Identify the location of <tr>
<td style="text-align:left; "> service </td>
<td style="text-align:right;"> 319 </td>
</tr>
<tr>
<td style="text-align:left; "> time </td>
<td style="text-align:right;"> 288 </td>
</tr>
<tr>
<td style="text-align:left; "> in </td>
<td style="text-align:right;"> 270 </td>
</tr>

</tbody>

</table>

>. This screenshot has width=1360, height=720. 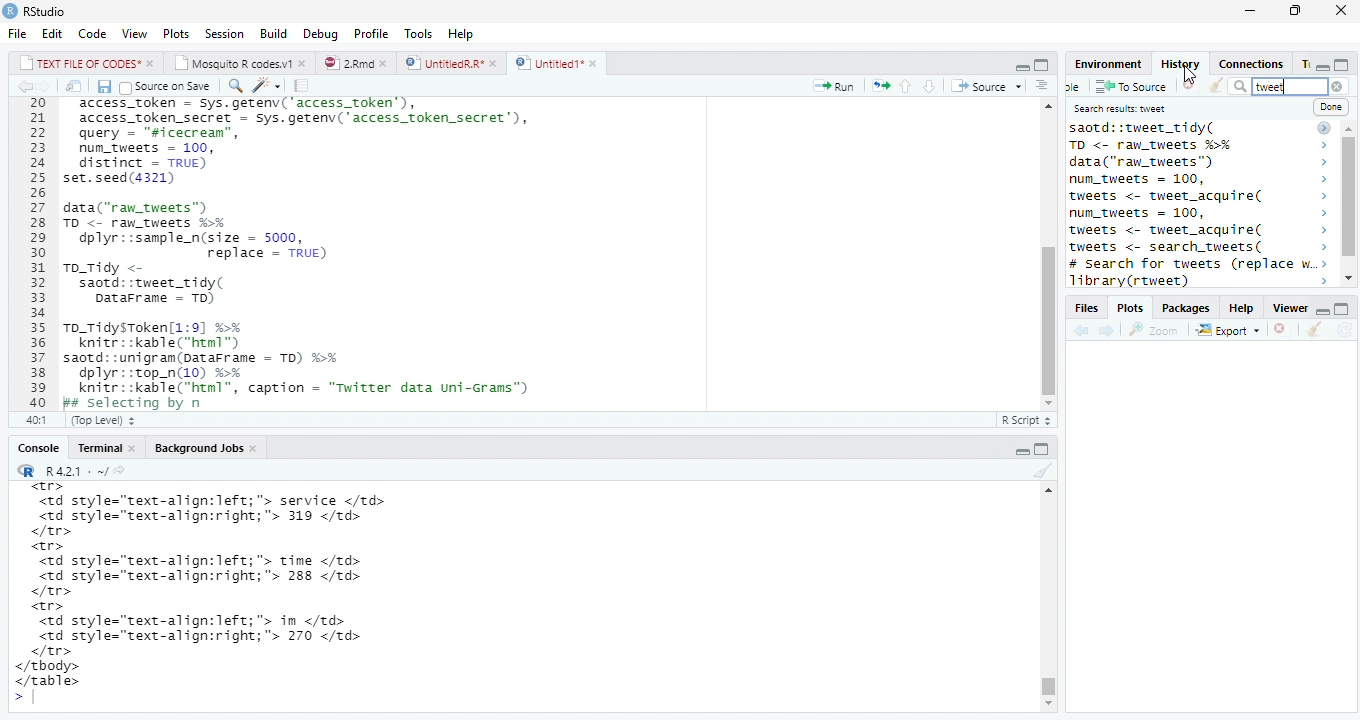
(242, 595).